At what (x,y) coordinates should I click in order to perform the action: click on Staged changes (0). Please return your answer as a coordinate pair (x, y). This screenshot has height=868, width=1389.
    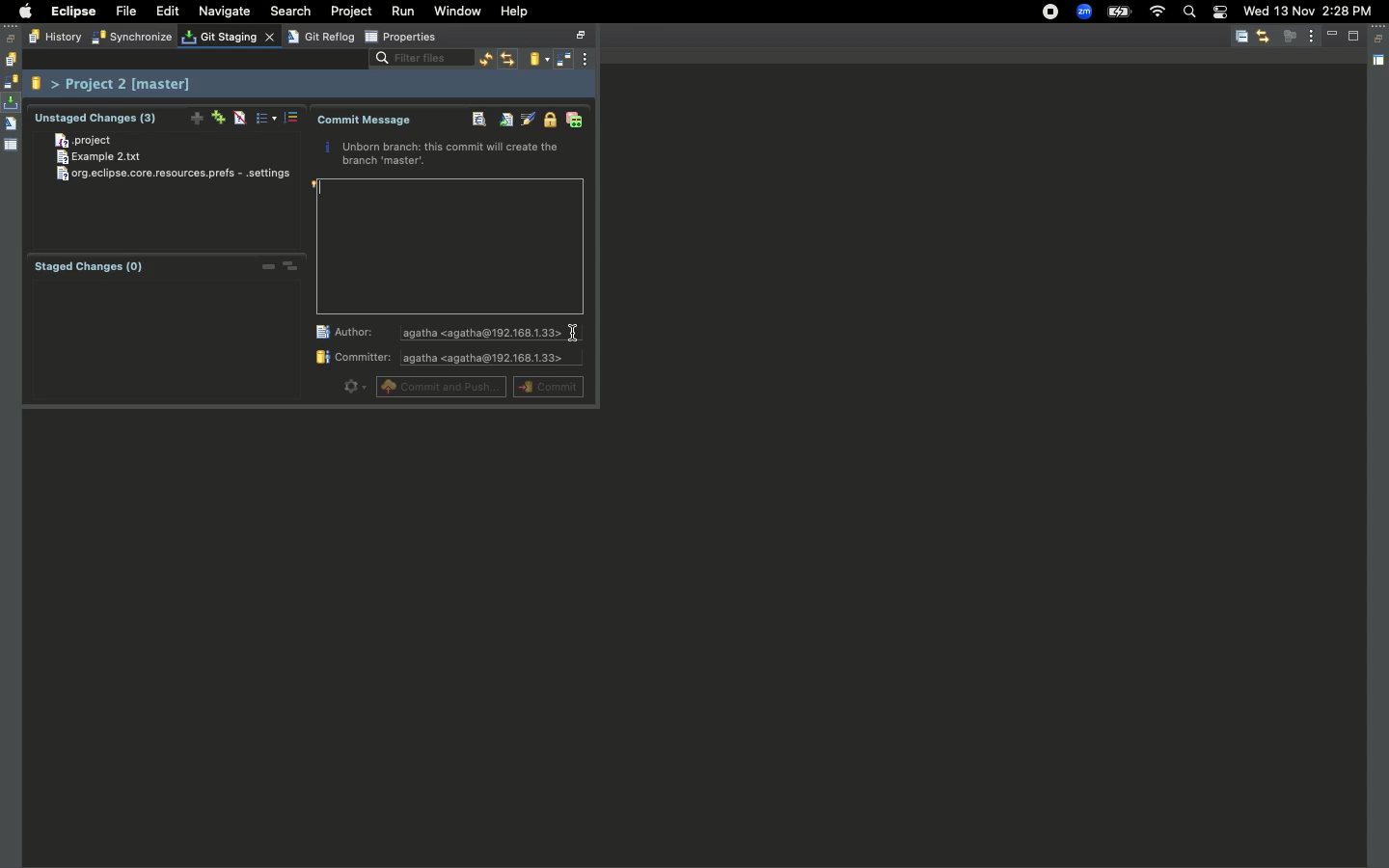
    Looking at the image, I should click on (95, 268).